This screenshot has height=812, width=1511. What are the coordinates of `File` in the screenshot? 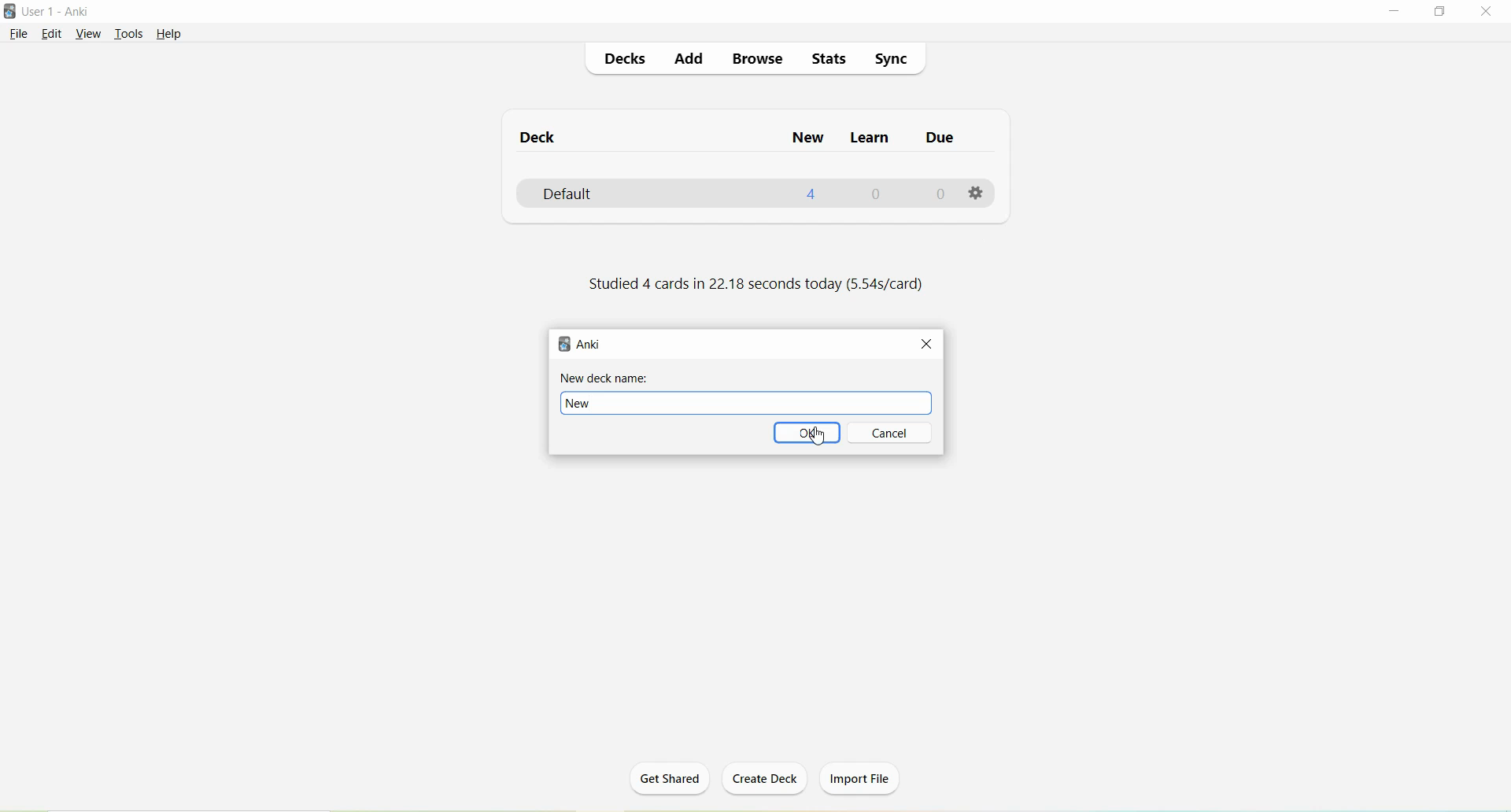 It's located at (17, 35).